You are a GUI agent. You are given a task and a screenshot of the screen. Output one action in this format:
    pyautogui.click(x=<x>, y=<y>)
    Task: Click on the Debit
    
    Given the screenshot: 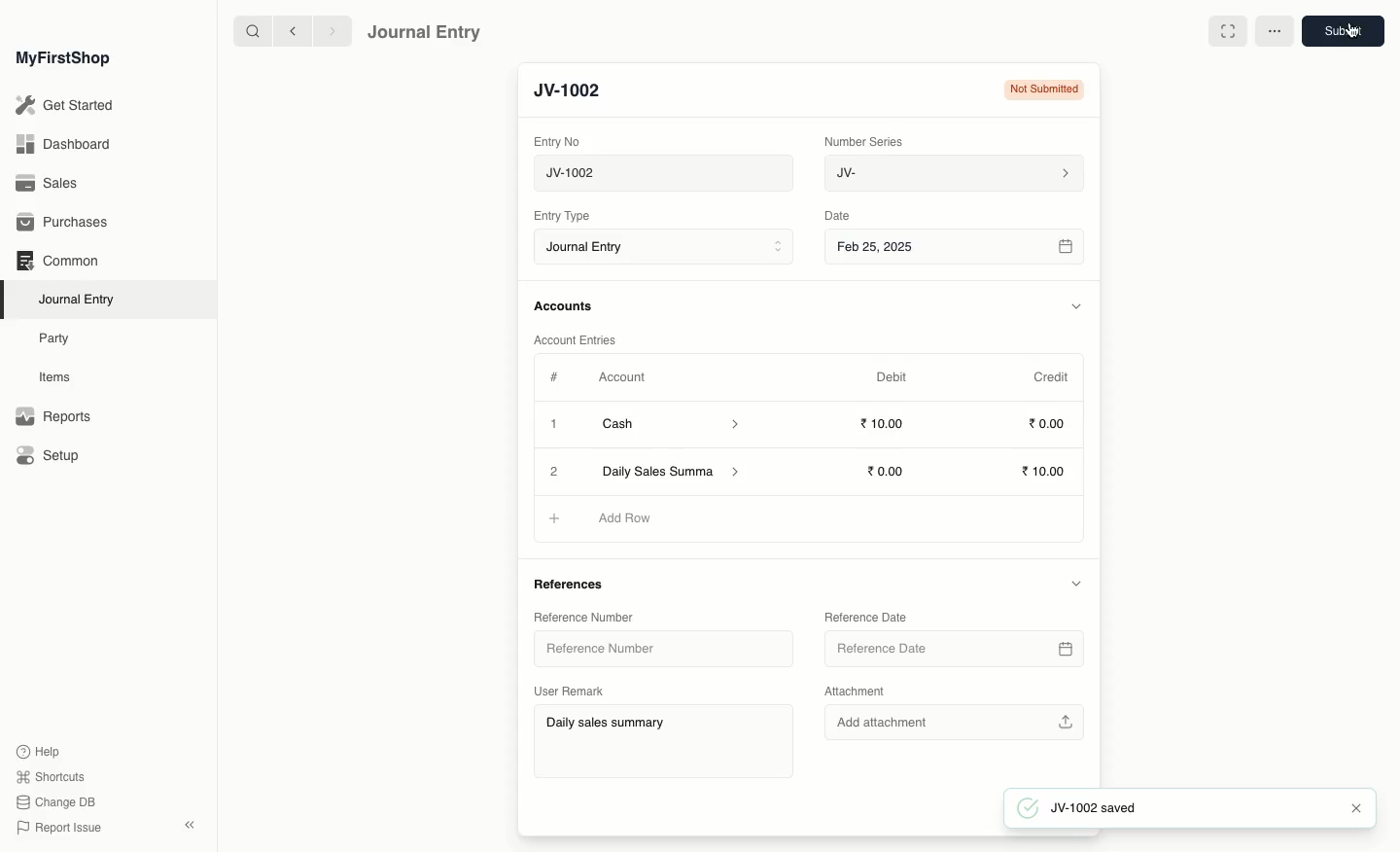 What is the action you would take?
    pyautogui.click(x=892, y=376)
    